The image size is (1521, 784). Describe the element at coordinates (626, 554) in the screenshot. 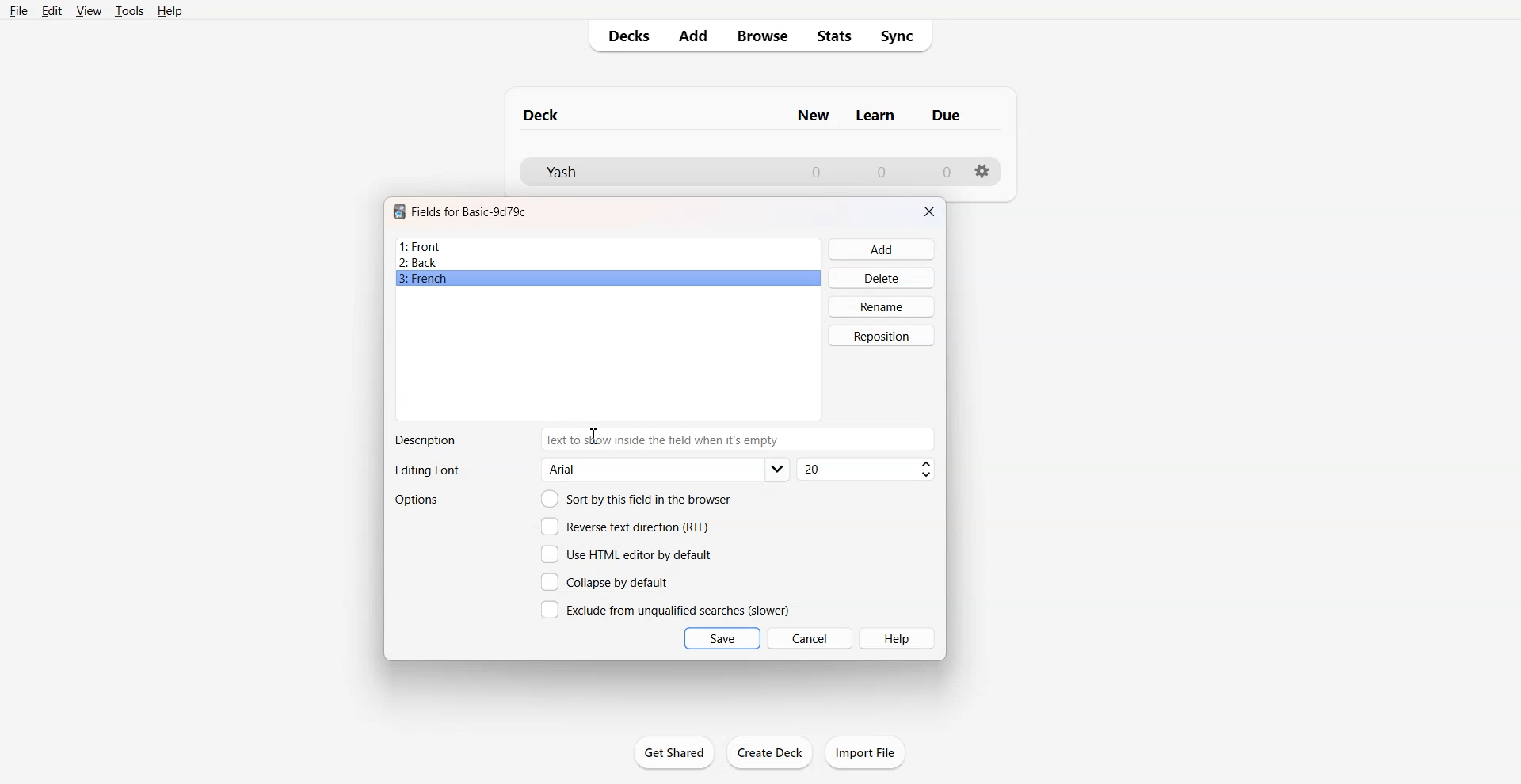

I see `Use HTML editor by default` at that location.